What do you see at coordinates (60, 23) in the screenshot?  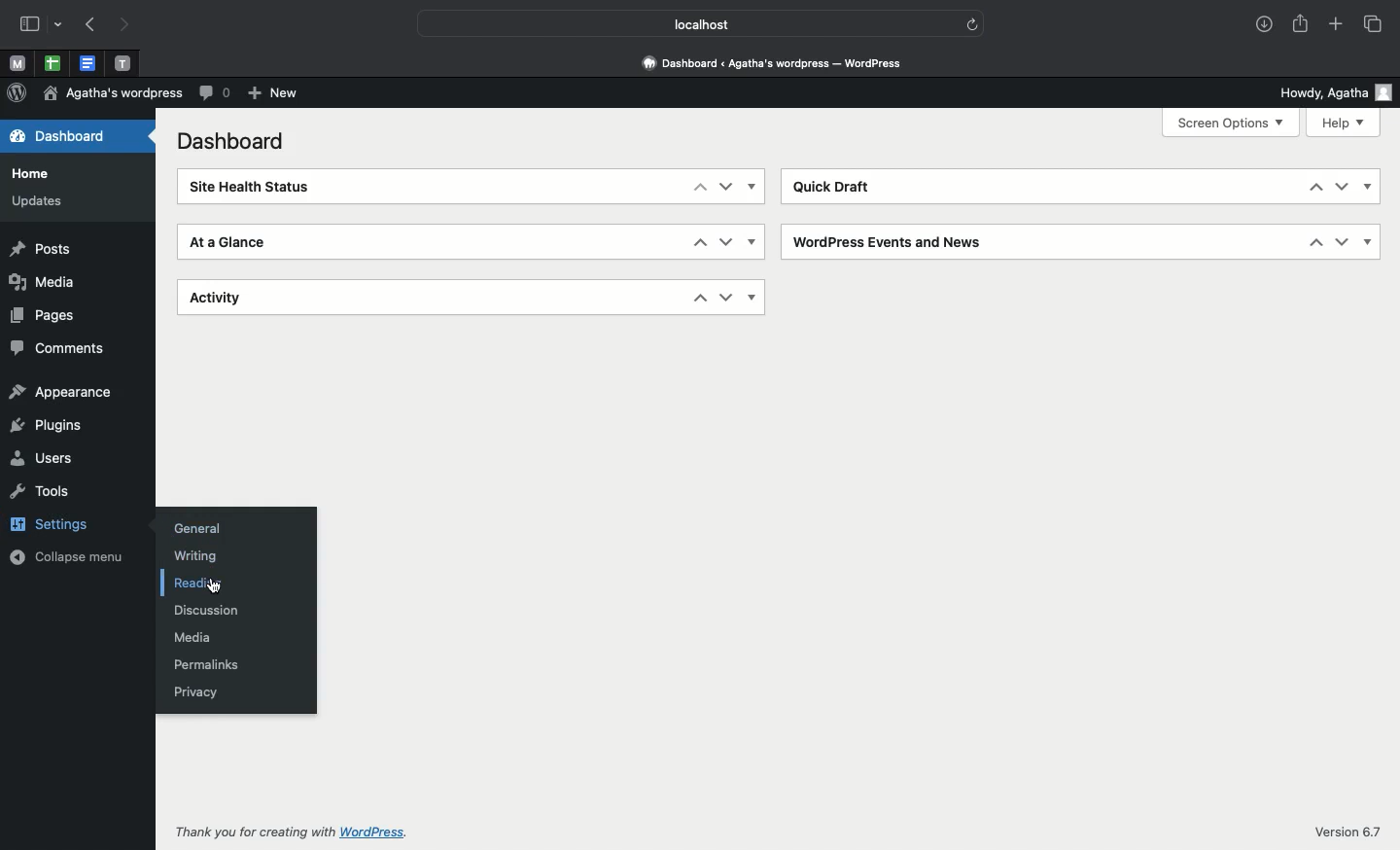 I see `` at bounding box center [60, 23].